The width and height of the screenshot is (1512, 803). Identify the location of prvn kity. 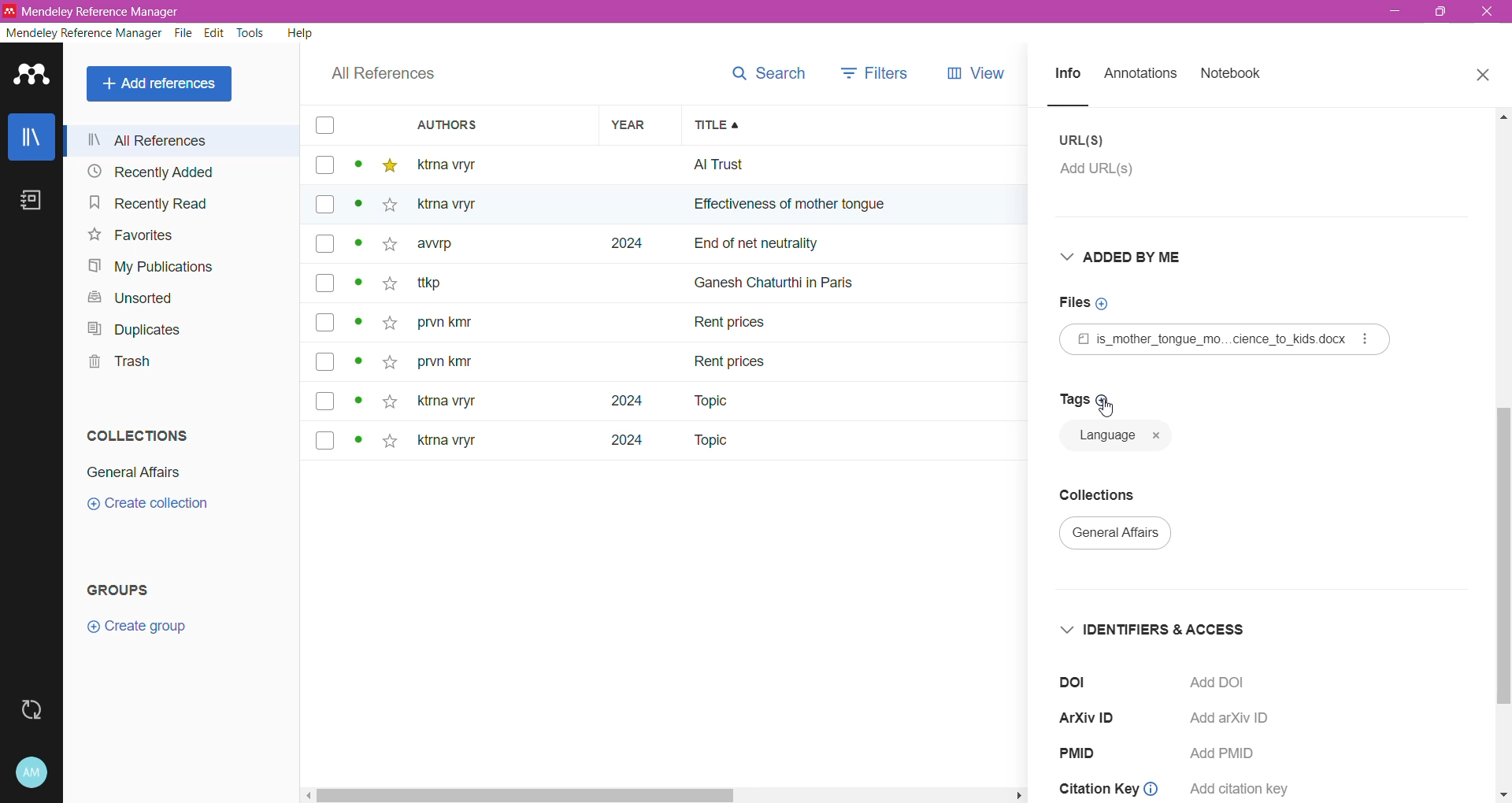
(454, 324).